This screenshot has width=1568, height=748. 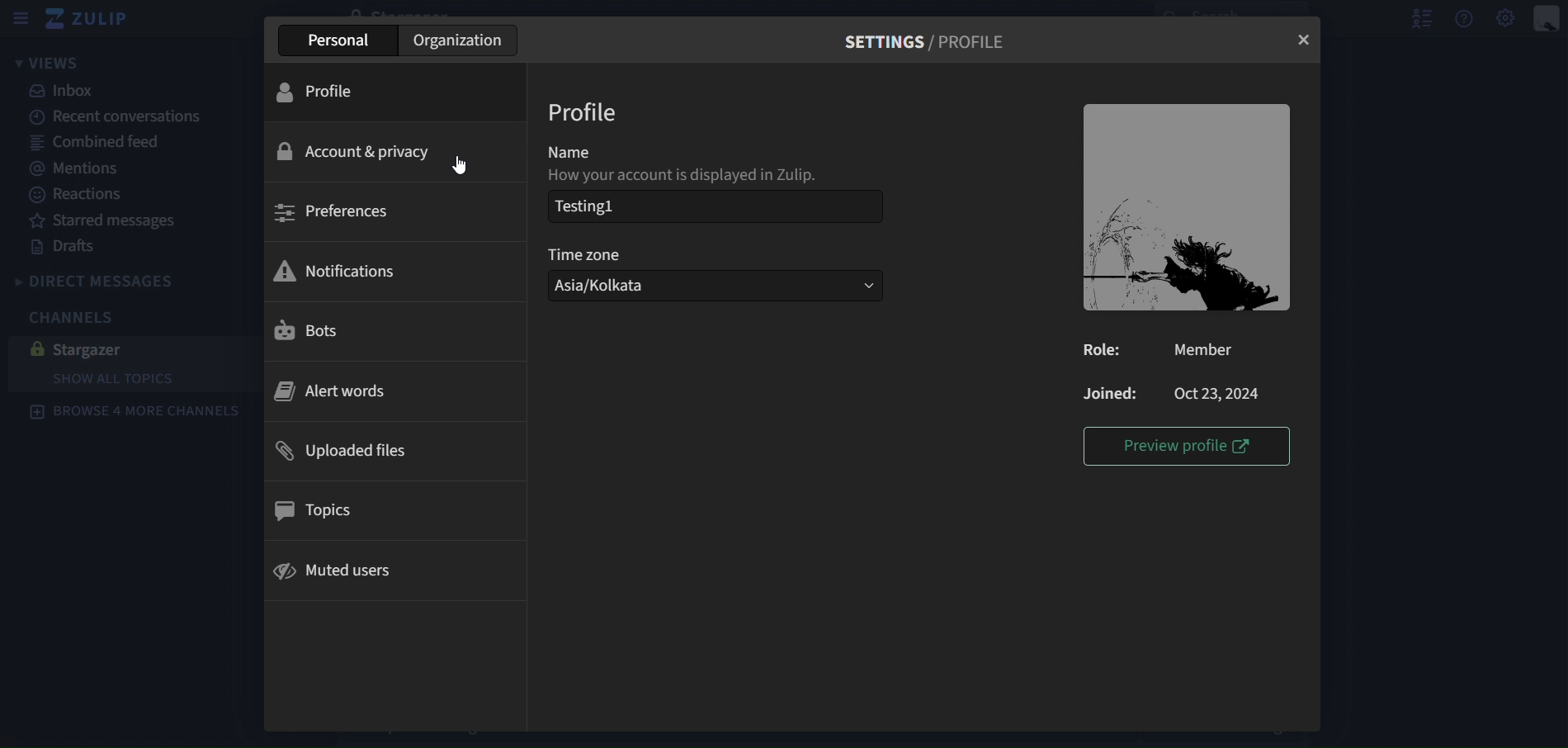 I want to click on zulip, so click(x=96, y=22).